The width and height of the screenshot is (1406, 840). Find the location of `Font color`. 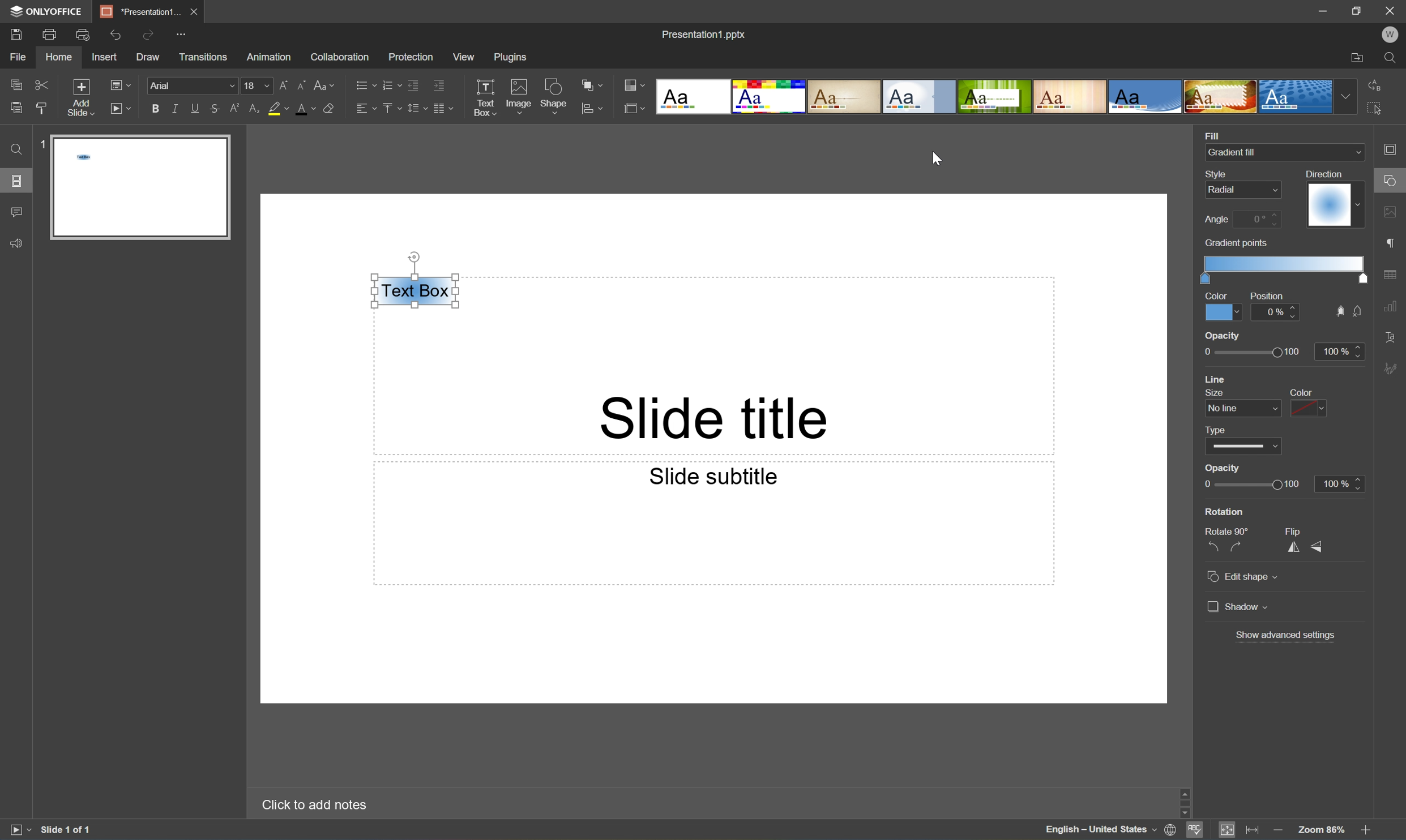

Font color is located at coordinates (304, 109).